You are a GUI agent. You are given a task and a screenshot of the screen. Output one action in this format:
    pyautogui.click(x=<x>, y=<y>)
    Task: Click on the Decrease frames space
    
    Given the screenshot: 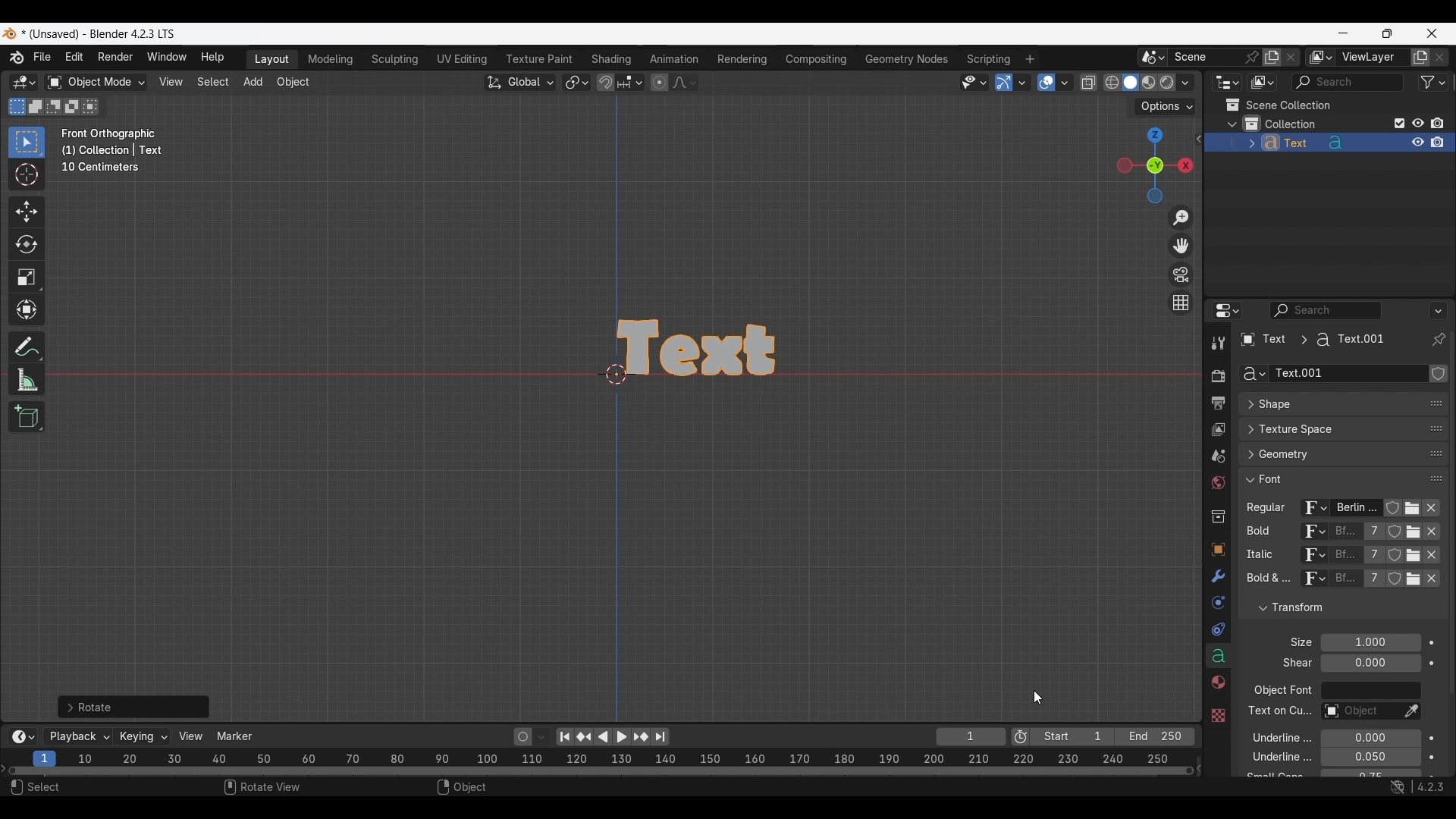 What is the action you would take?
    pyautogui.click(x=1200, y=767)
    